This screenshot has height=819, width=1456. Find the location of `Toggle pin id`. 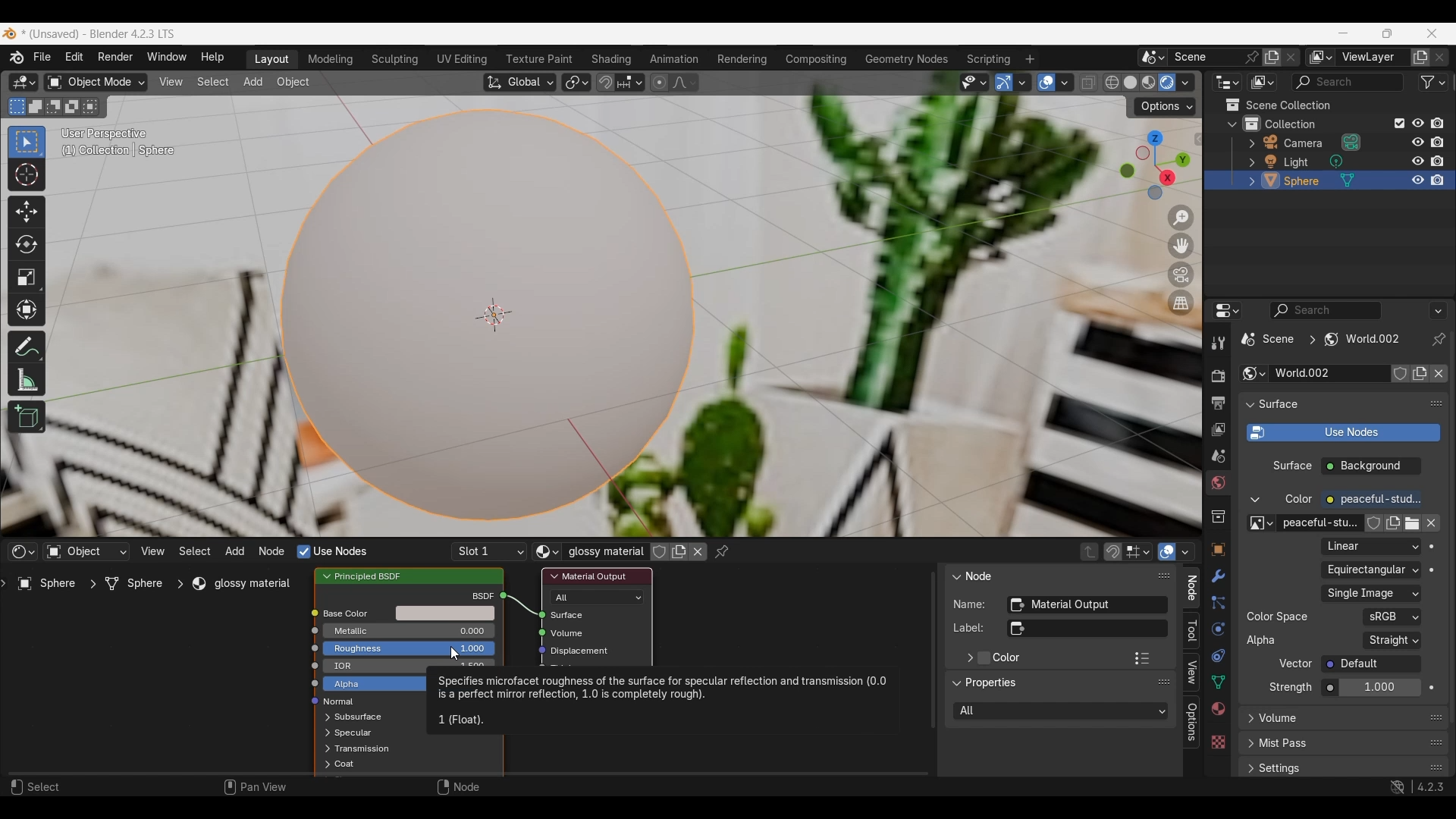

Toggle pin id is located at coordinates (1439, 339).